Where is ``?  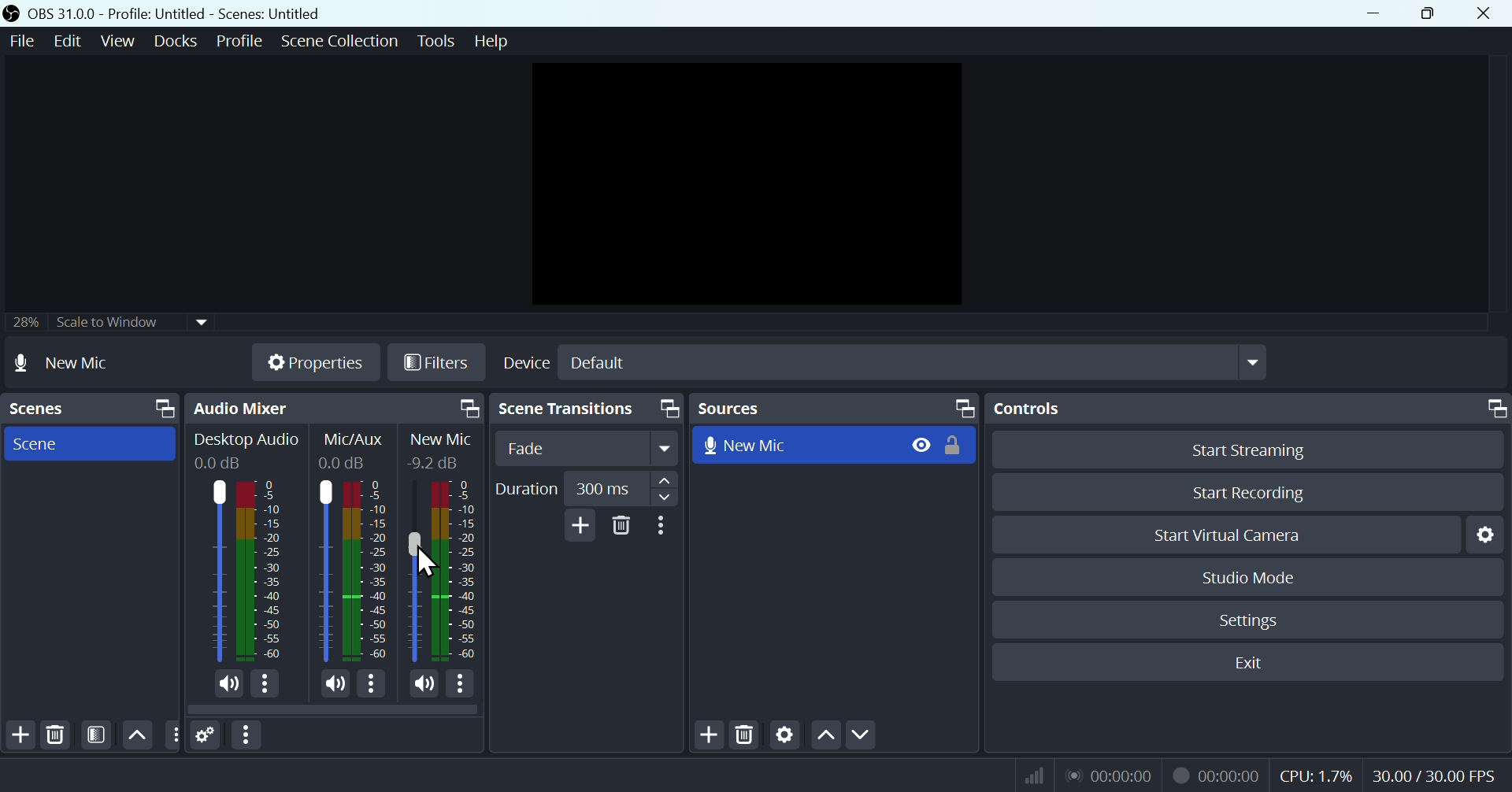
 is located at coordinates (357, 439).